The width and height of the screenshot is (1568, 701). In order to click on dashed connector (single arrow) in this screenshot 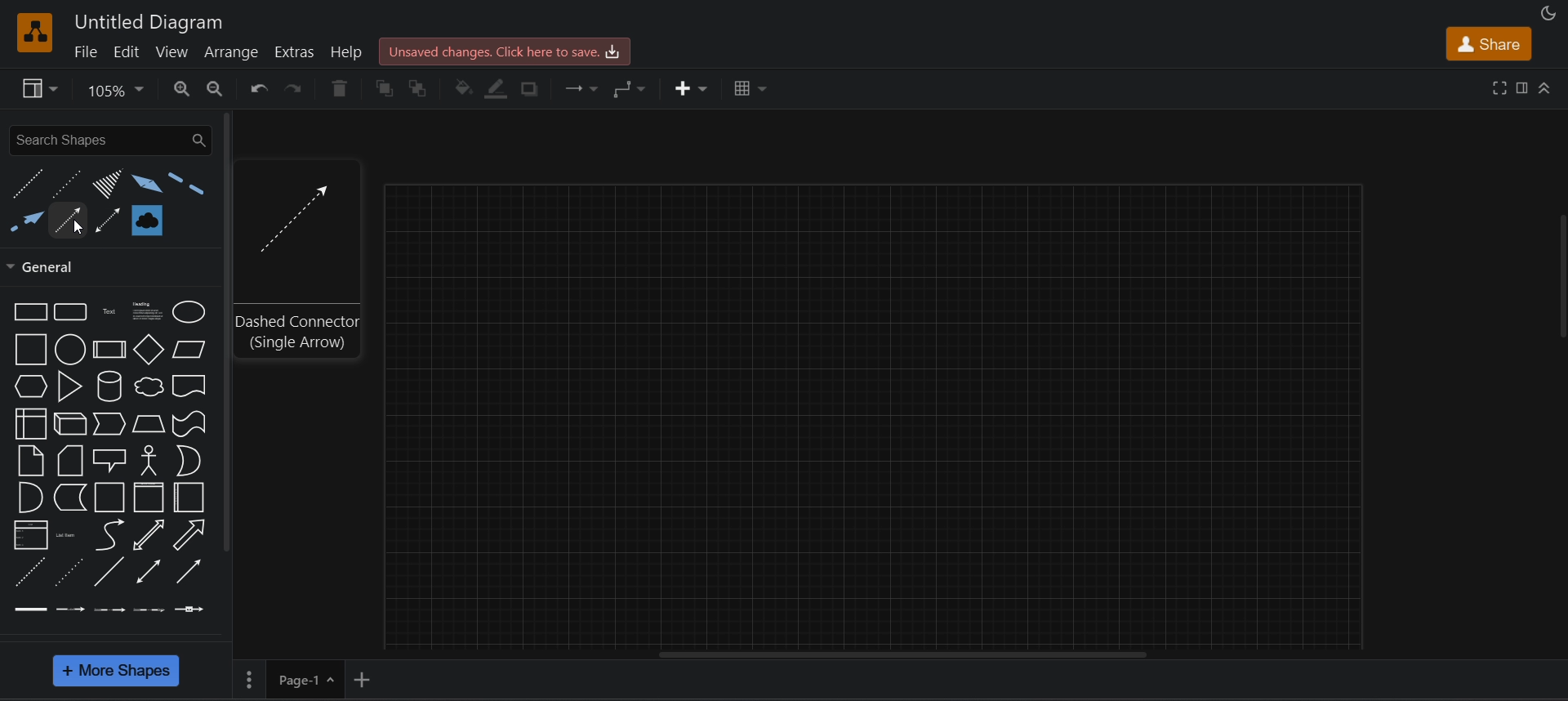, I will do `click(293, 214)`.